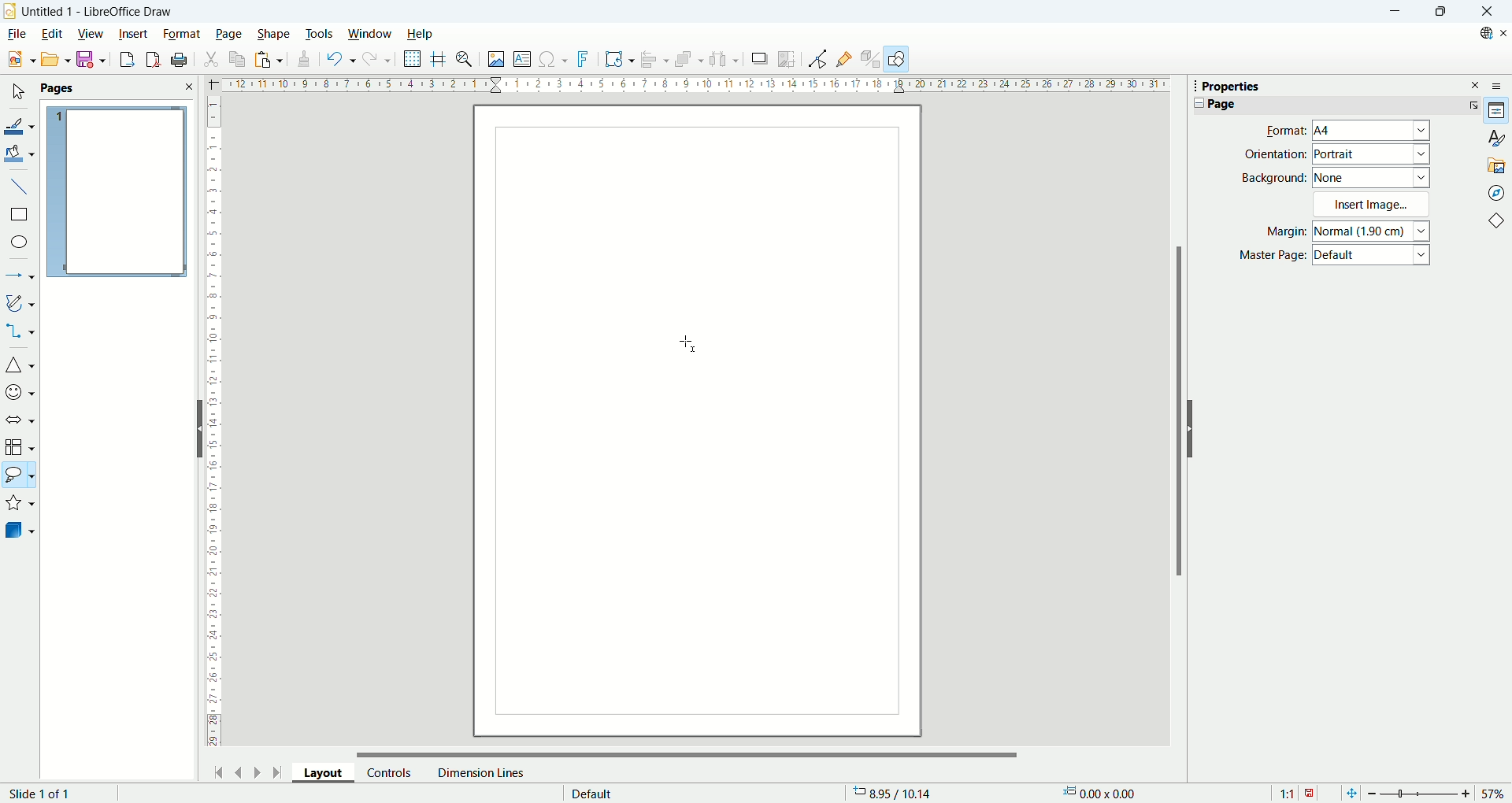 The image size is (1512, 803). I want to click on draw function, so click(899, 59).